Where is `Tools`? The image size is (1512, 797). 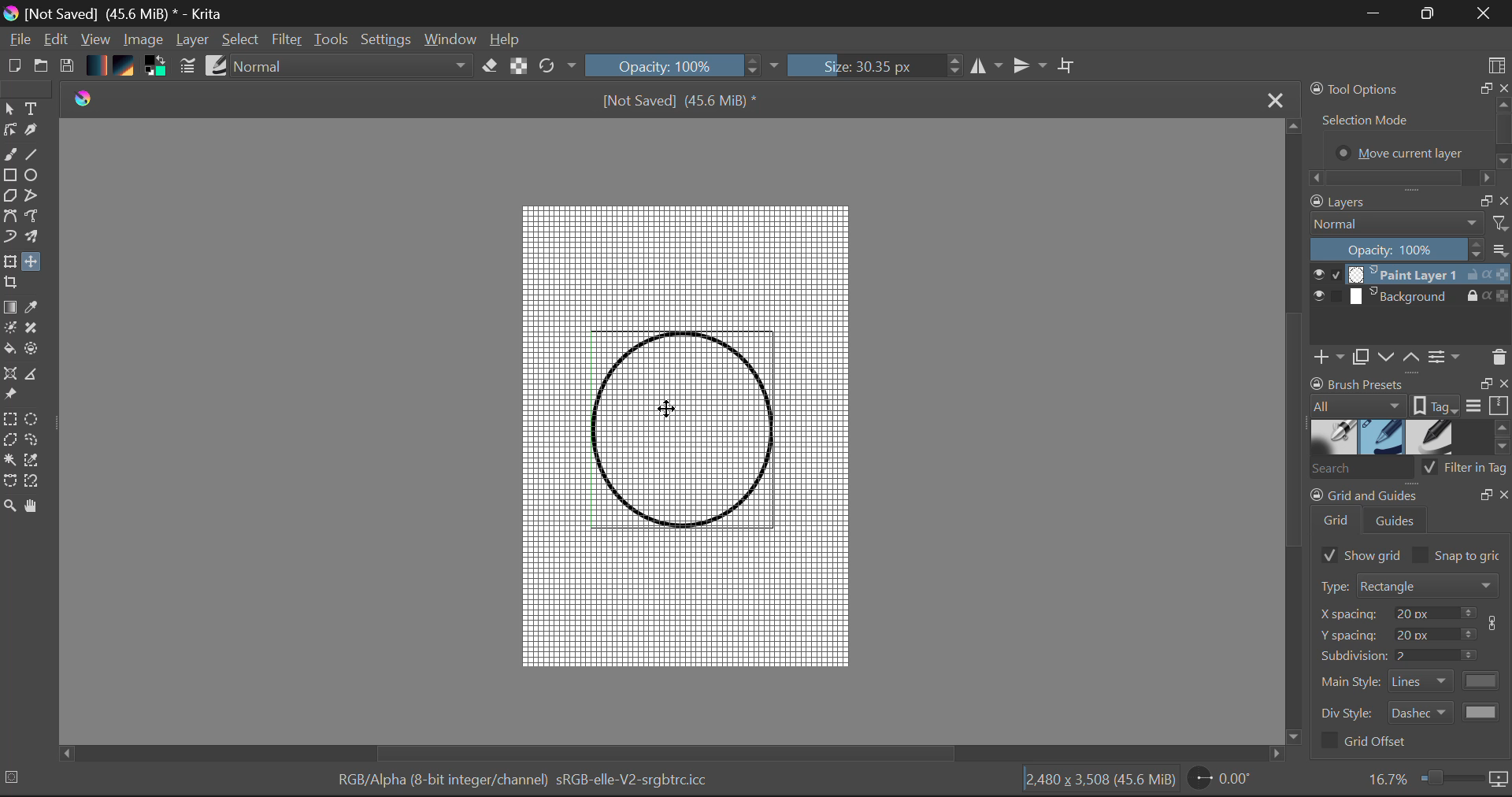
Tools is located at coordinates (332, 41).